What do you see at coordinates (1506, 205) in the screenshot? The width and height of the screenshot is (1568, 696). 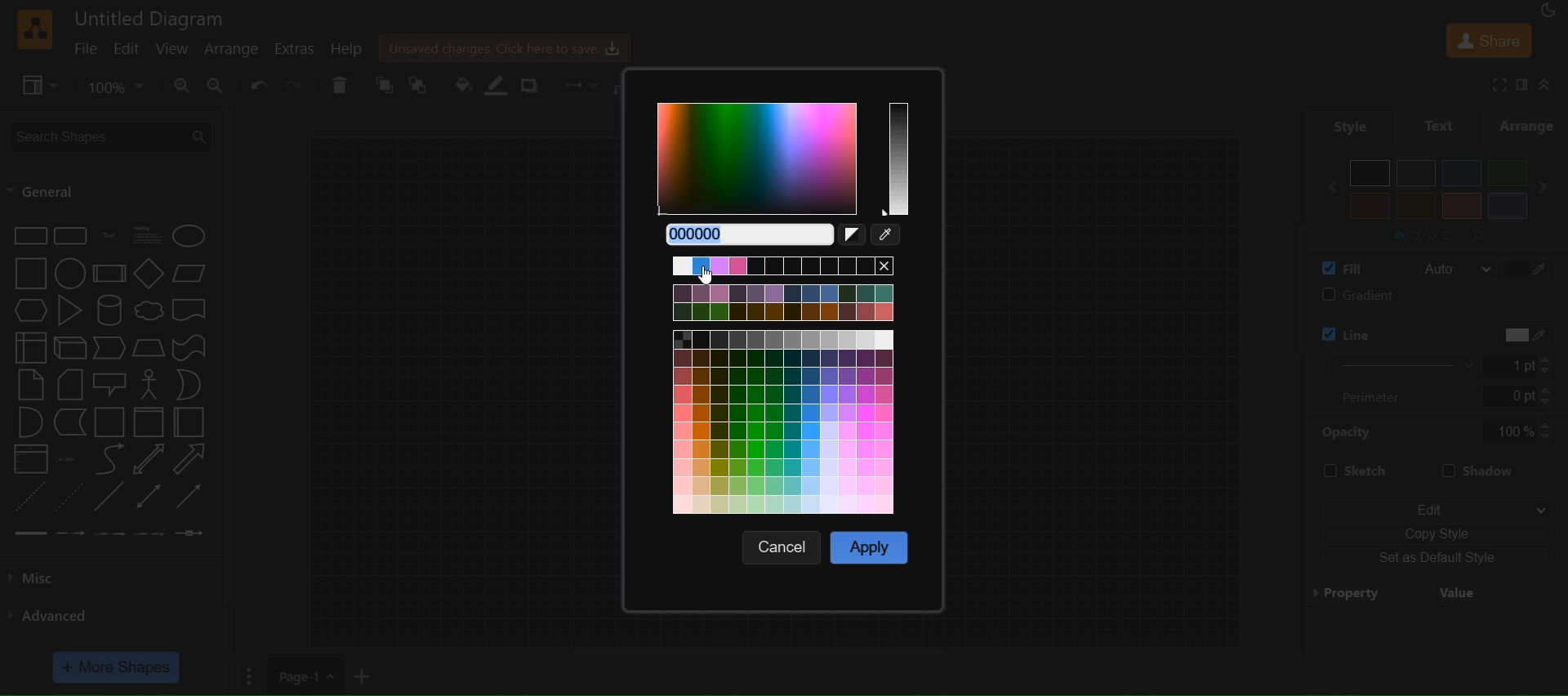 I see `purple color` at bounding box center [1506, 205].